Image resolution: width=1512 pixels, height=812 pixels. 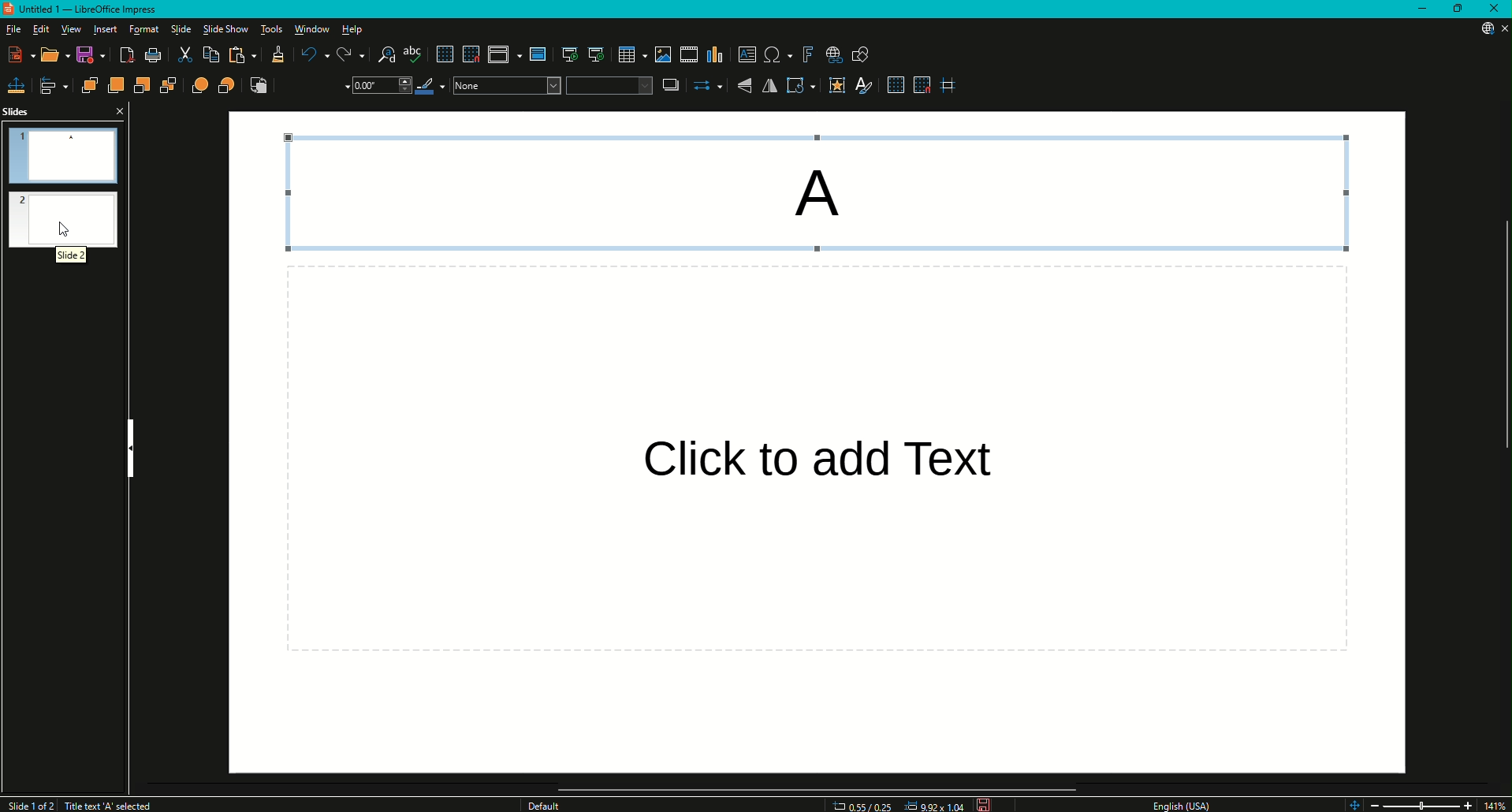 What do you see at coordinates (869, 86) in the screenshot?
I see `Show Styles Sidebar` at bounding box center [869, 86].